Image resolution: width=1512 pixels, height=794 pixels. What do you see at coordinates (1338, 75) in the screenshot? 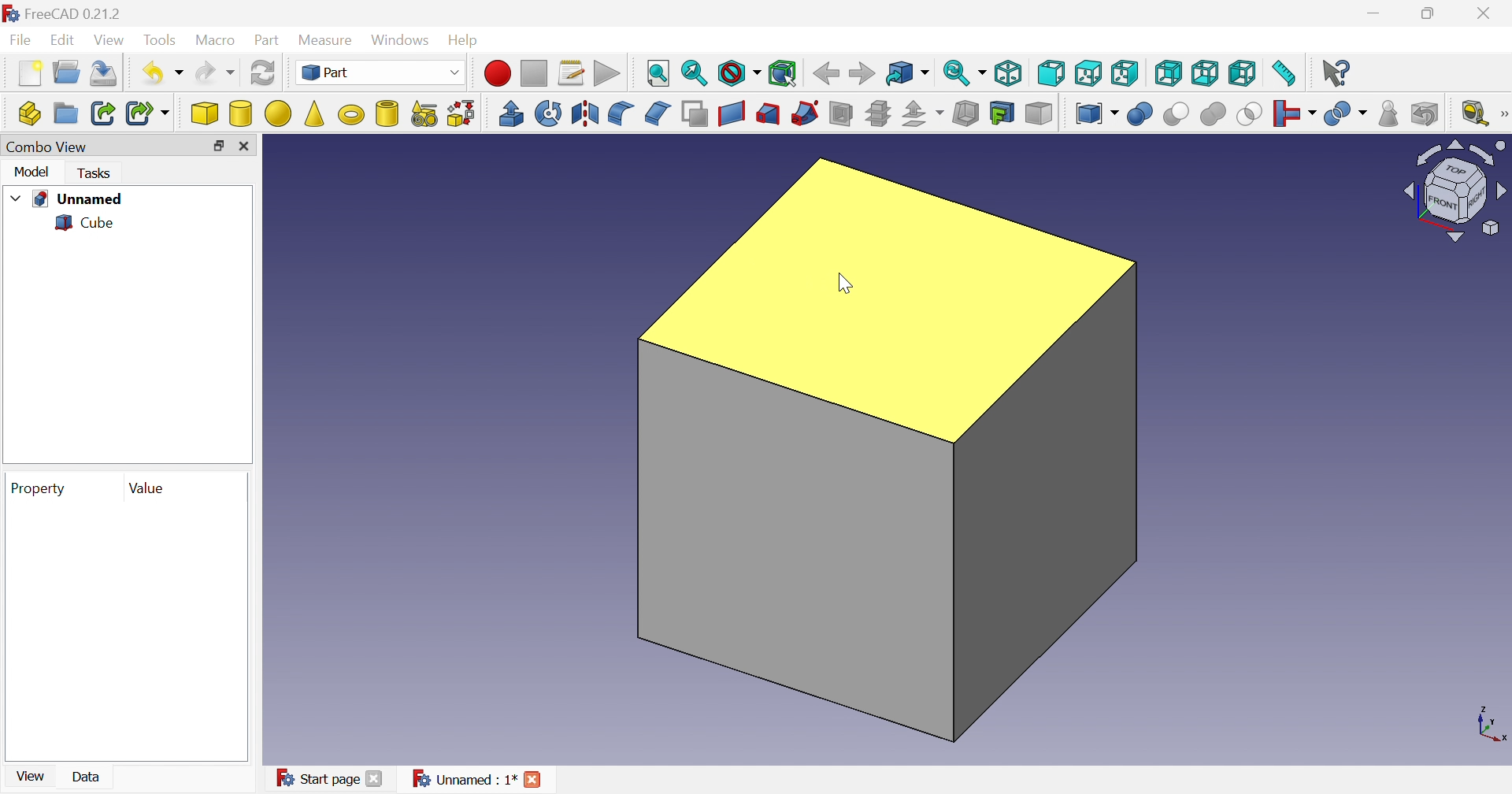
I see `What's this?` at bounding box center [1338, 75].